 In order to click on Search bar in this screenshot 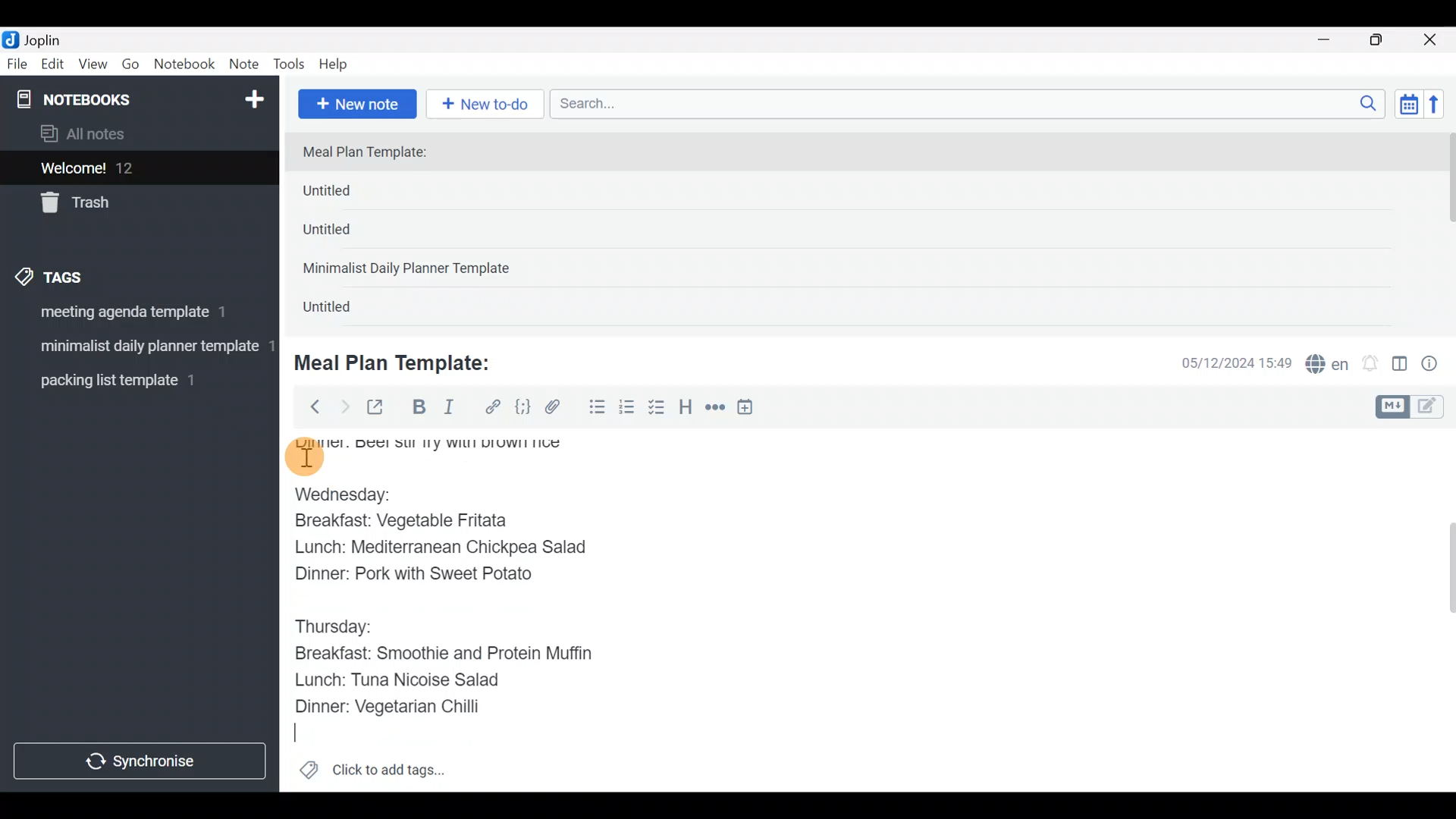, I will do `click(971, 102)`.